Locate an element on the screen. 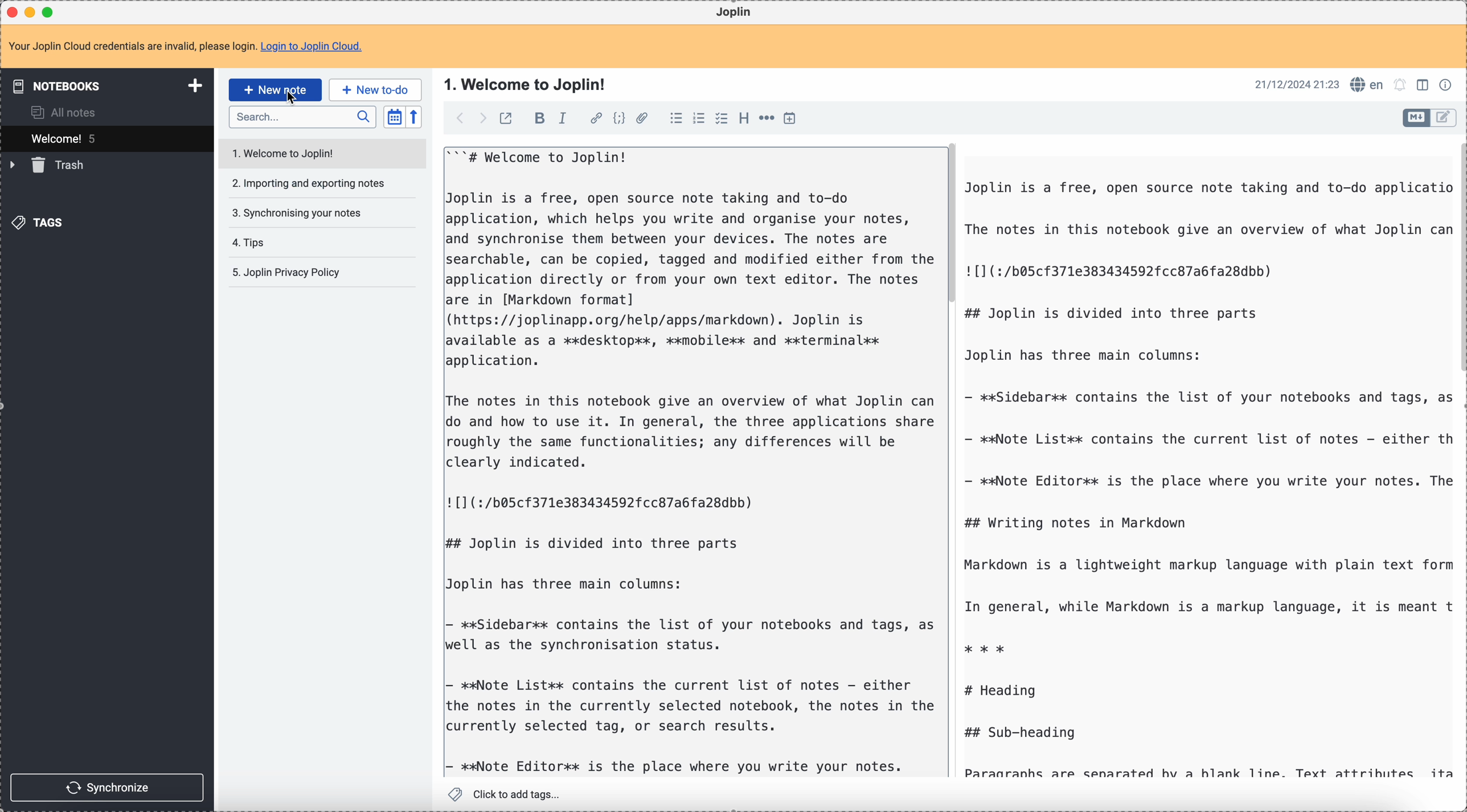 Image resolution: width=1467 pixels, height=812 pixels. hyperlink is located at coordinates (594, 119).